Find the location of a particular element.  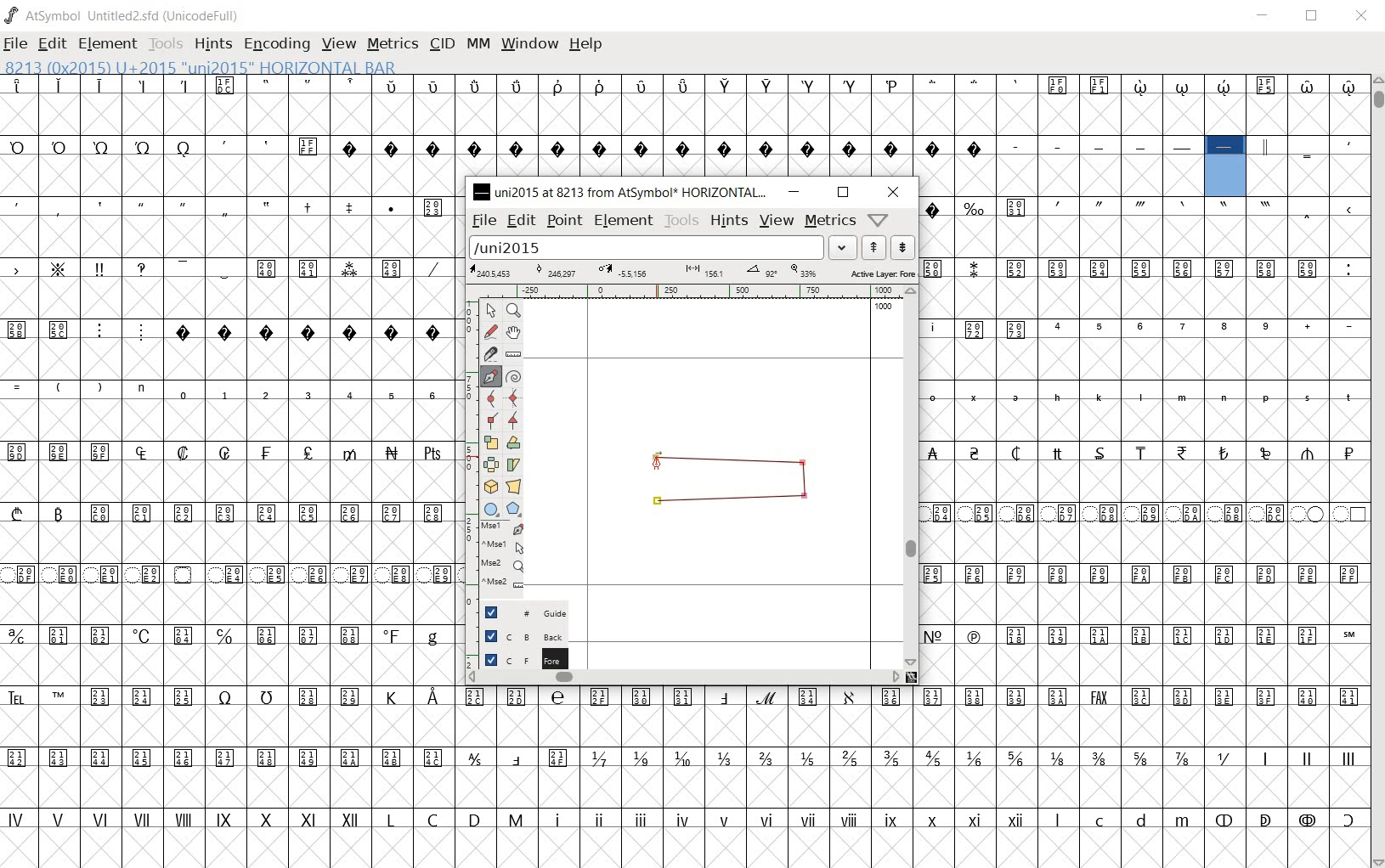

tools is located at coordinates (681, 221).